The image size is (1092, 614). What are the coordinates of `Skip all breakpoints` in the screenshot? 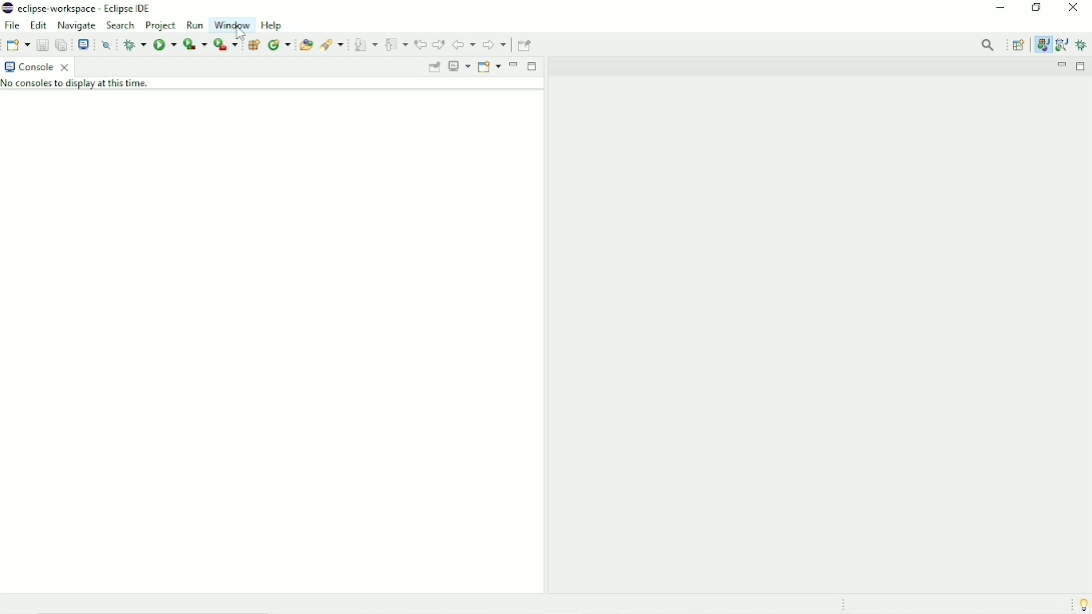 It's located at (108, 45).